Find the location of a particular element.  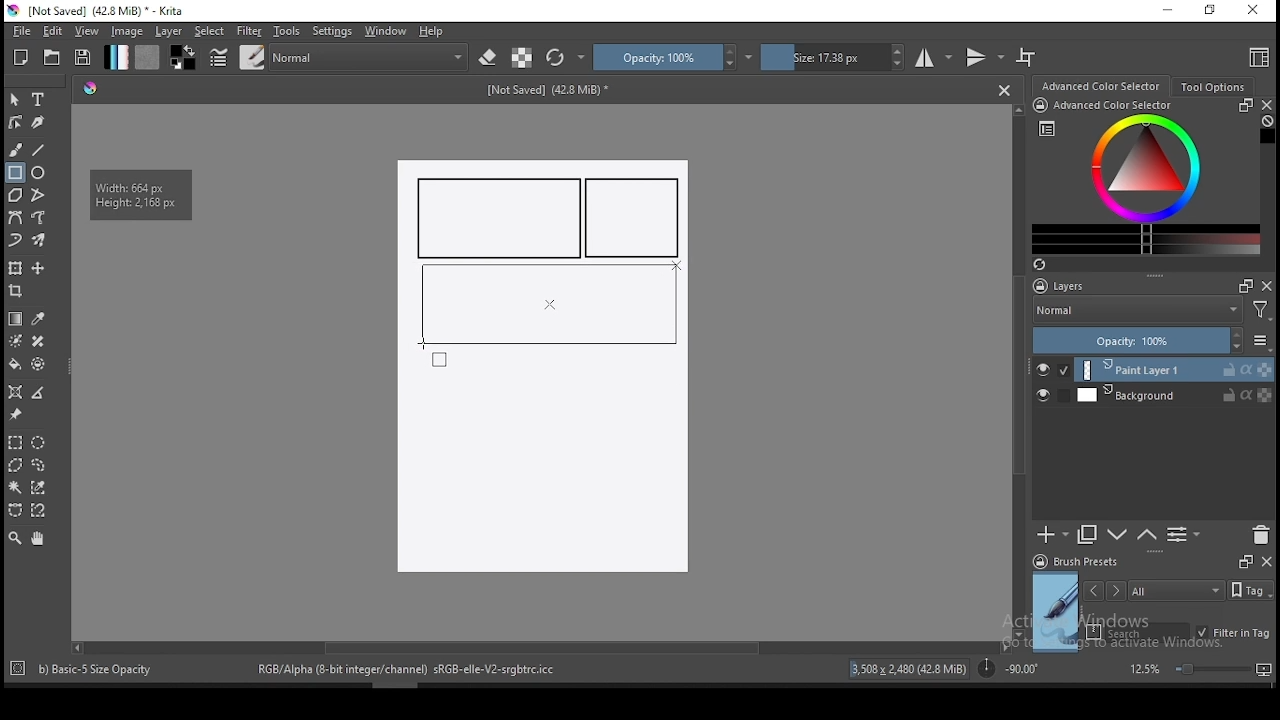

tags is located at coordinates (1176, 590).